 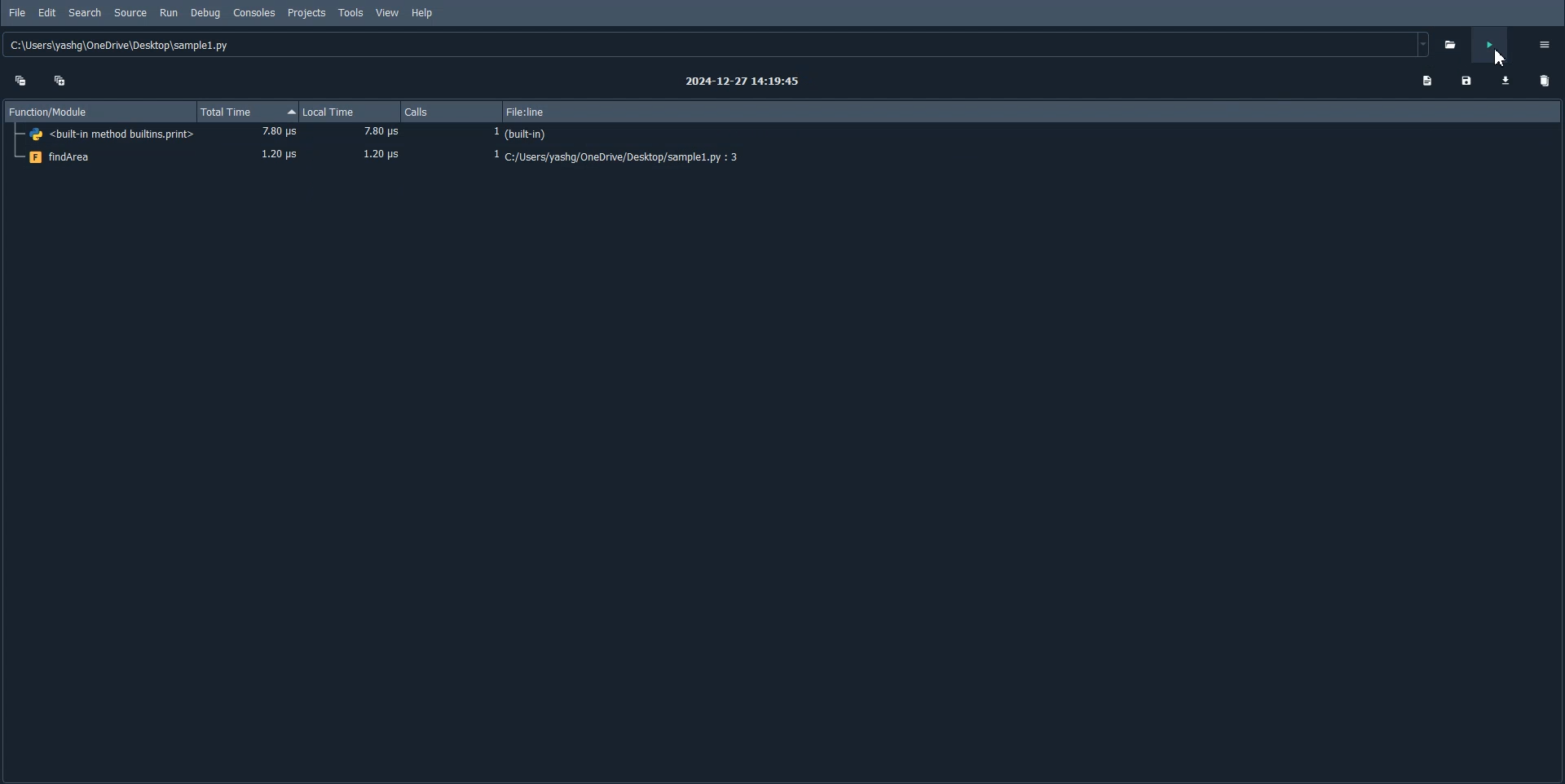 I want to click on Run, so click(x=169, y=13).